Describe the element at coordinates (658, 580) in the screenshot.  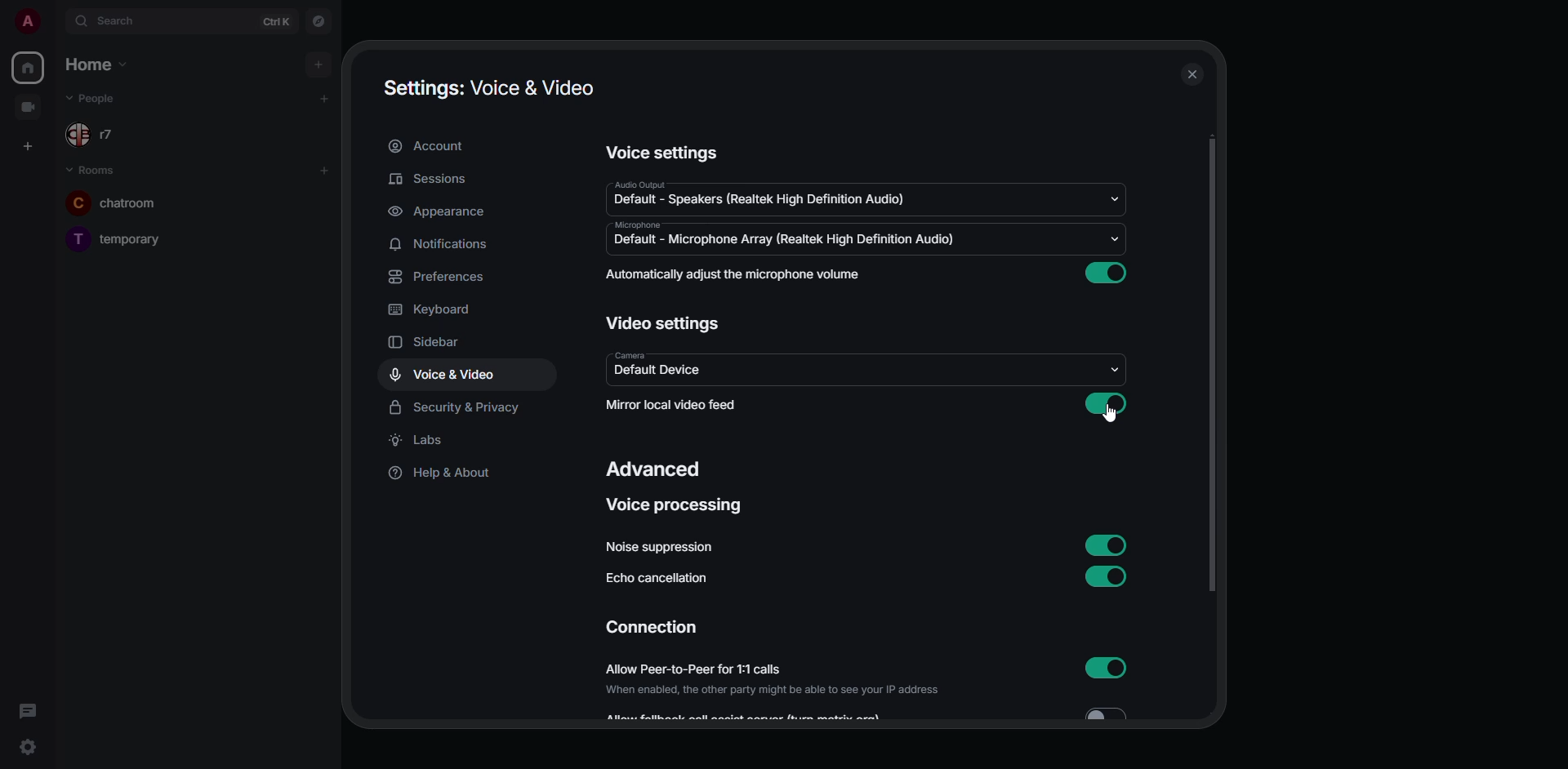
I see `echo cancellation` at that location.